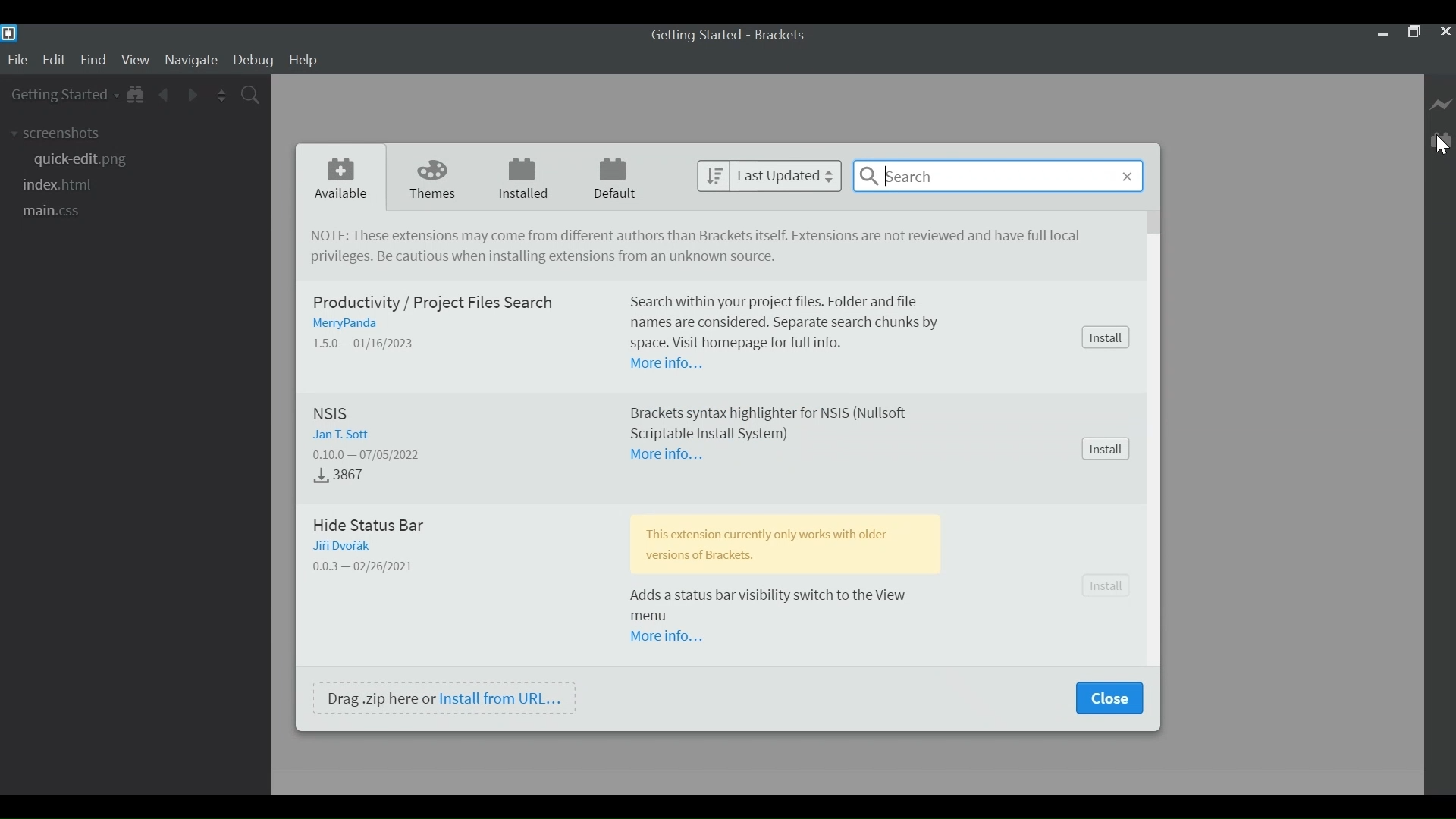 The height and width of the screenshot is (819, 1456). What do you see at coordinates (789, 543) in the screenshot?
I see `The extension currently only works with older versions` at bounding box center [789, 543].